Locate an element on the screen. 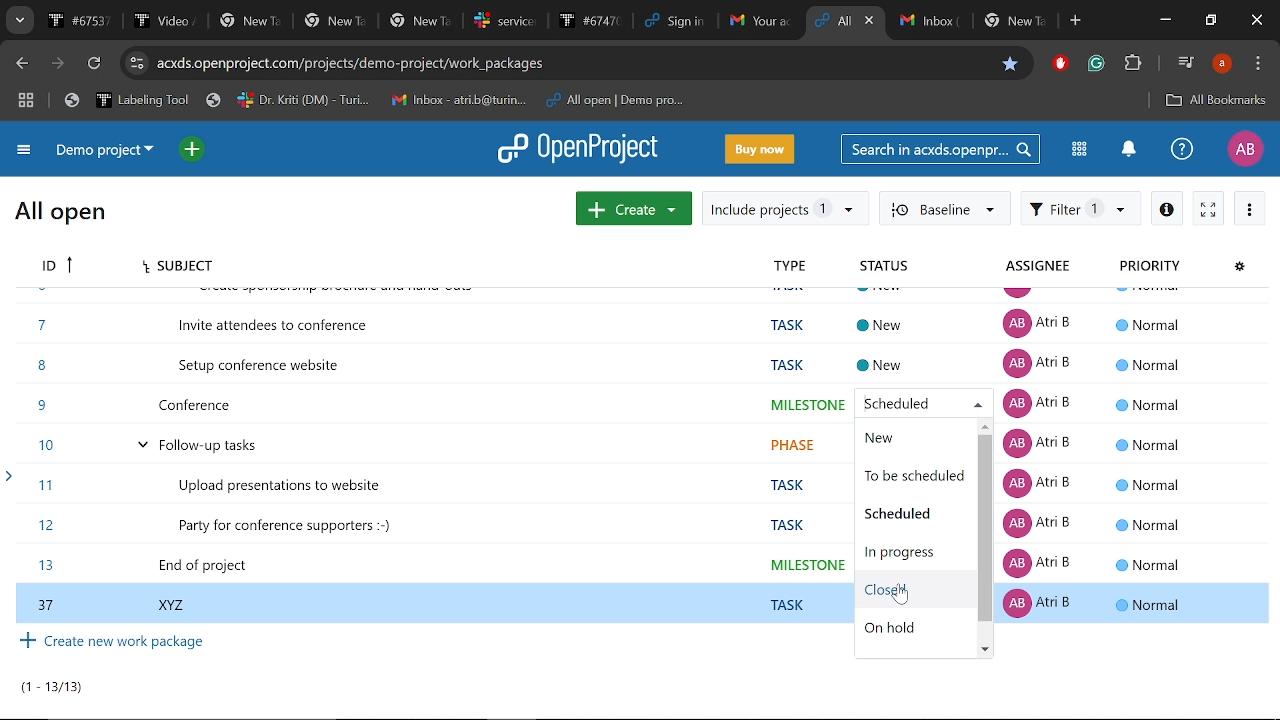 The height and width of the screenshot is (720, 1280). Activaet zen mode is located at coordinates (1208, 208).